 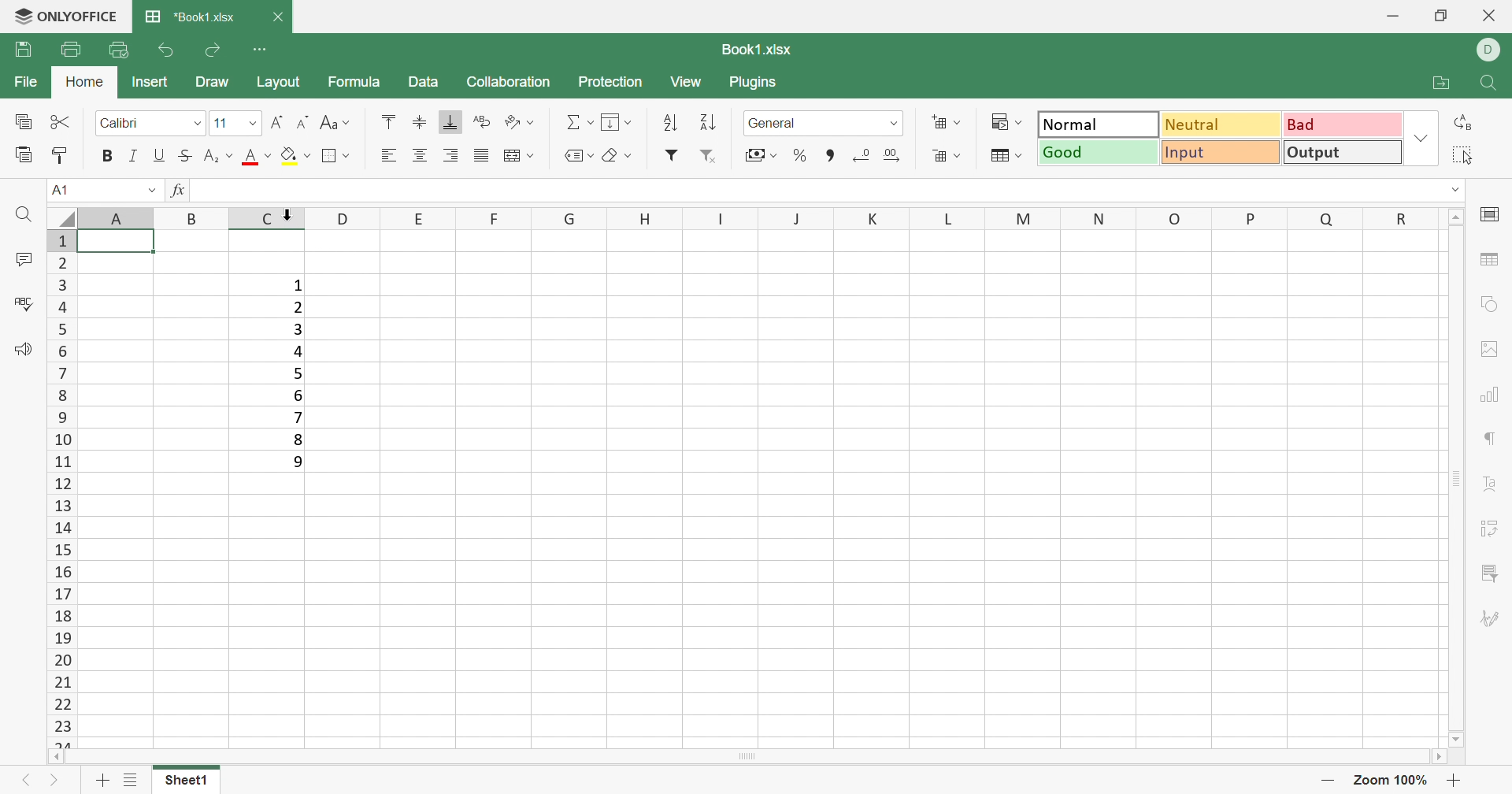 I want to click on , so click(x=341, y=220).